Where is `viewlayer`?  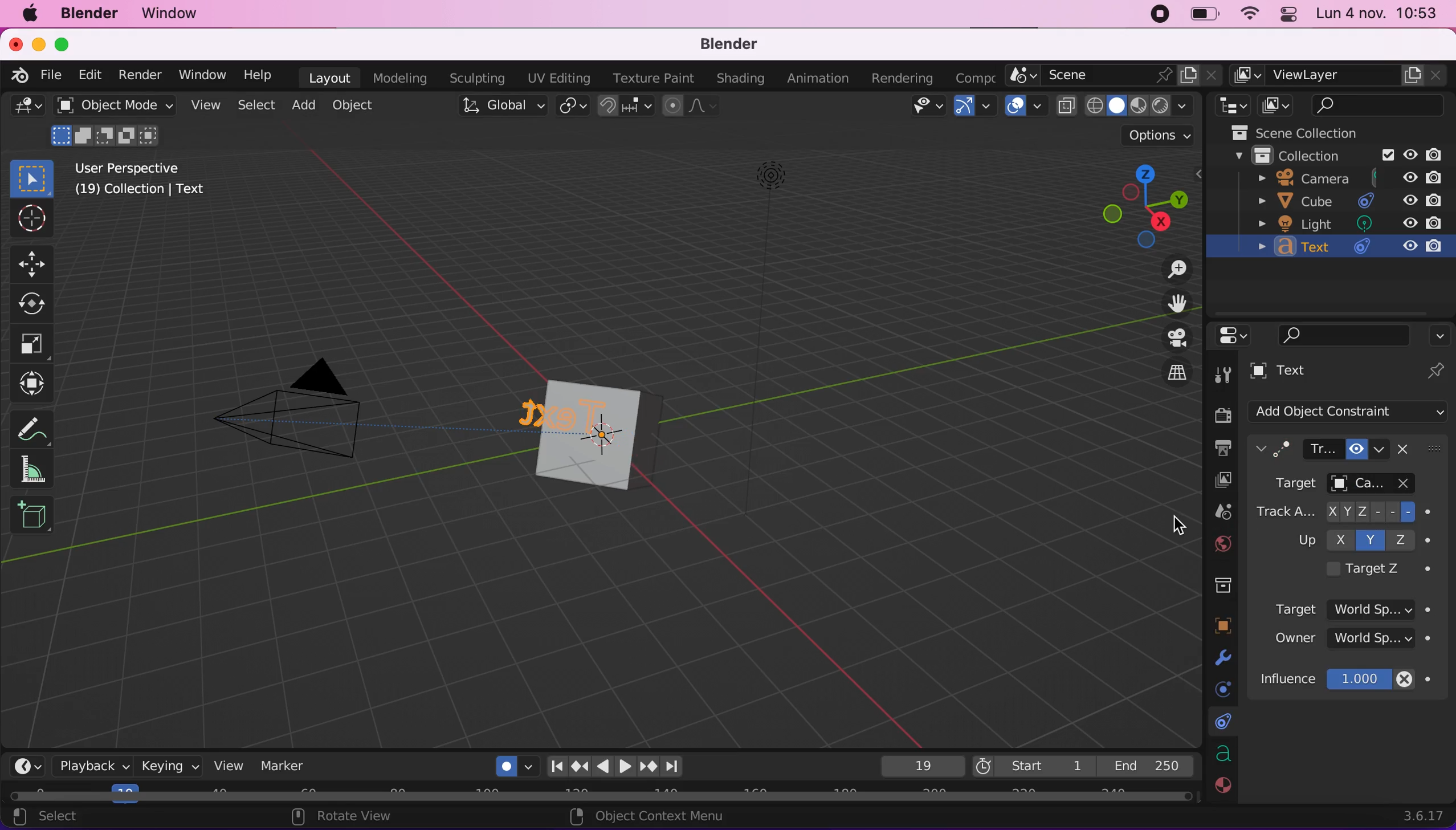
viewlayer is located at coordinates (1337, 76).